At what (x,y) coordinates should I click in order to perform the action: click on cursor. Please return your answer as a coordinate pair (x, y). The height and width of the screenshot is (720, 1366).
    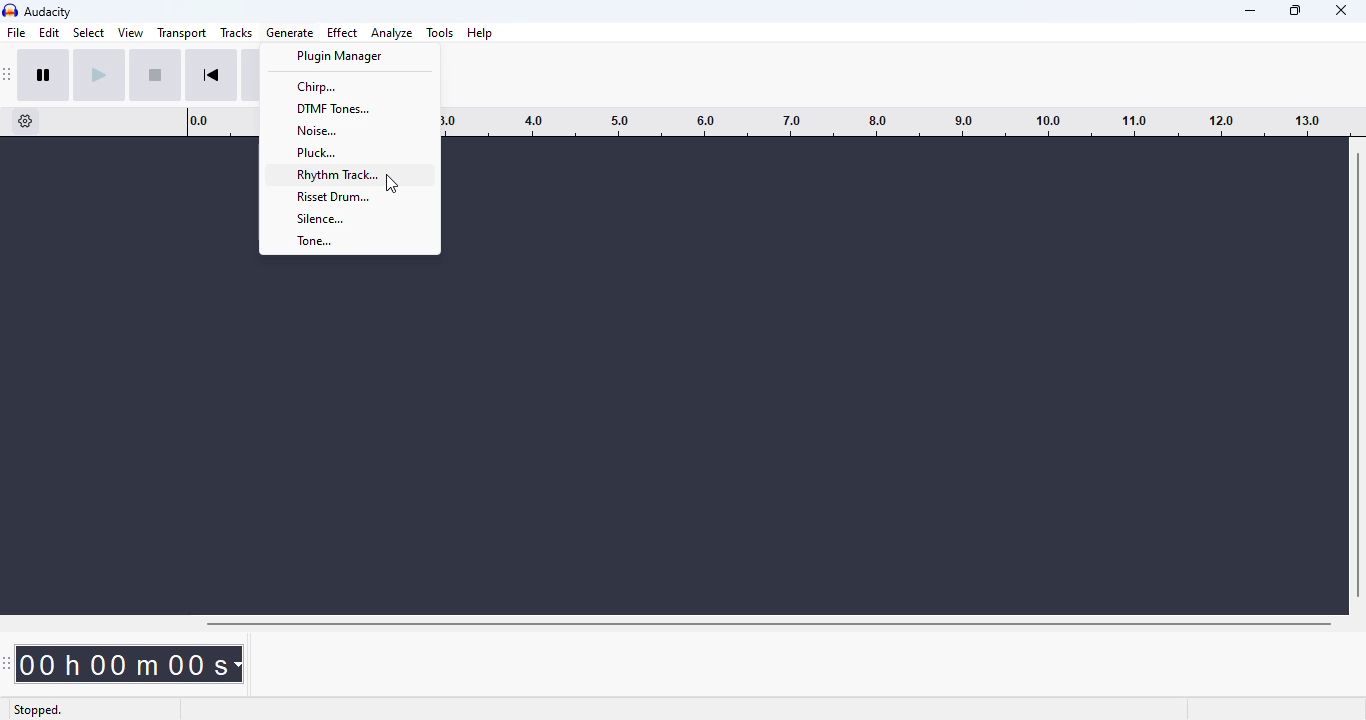
    Looking at the image, I should click on (391, 184).